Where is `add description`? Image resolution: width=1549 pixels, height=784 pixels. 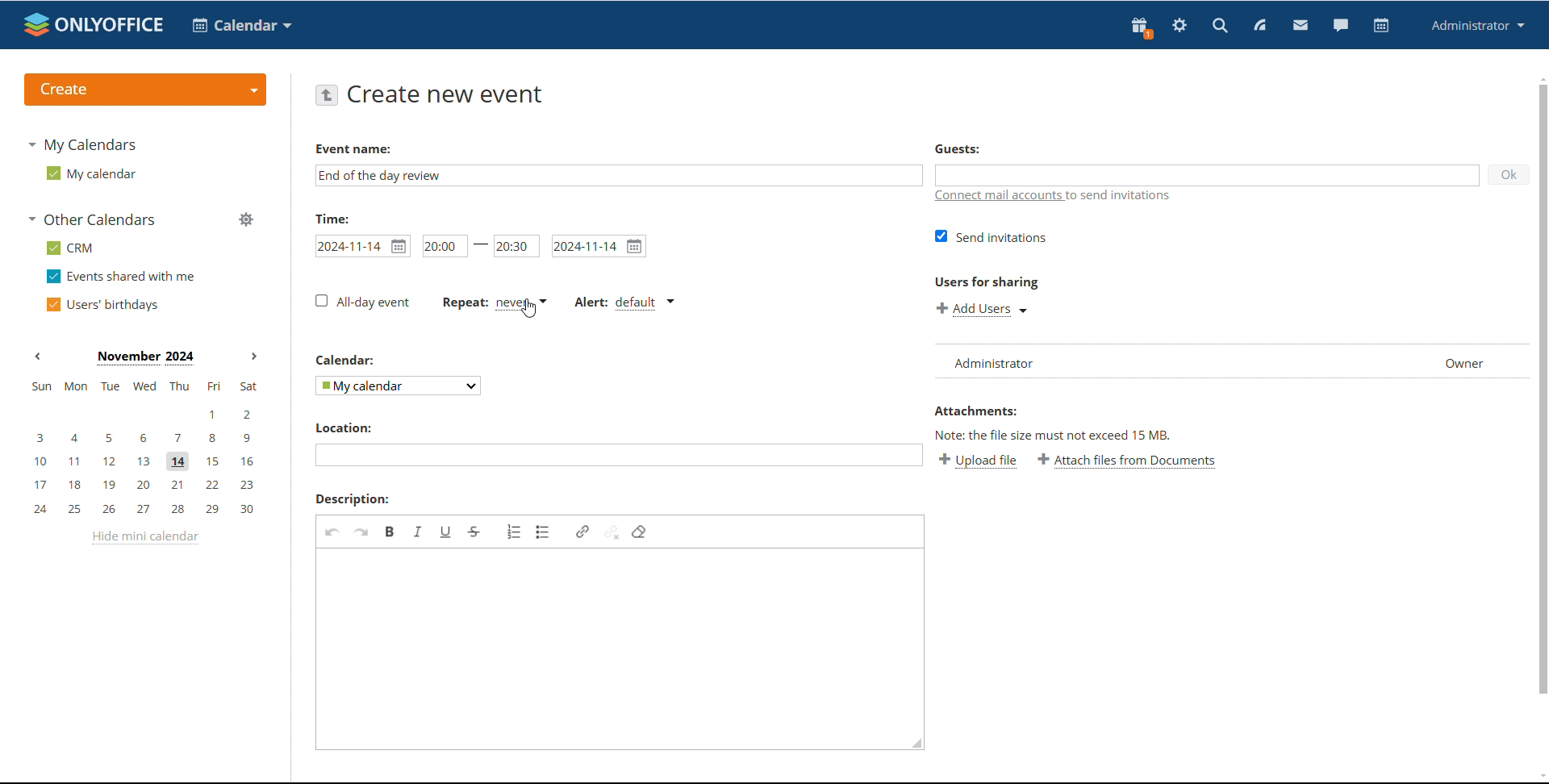 add description is located at coordinates (607, 642).